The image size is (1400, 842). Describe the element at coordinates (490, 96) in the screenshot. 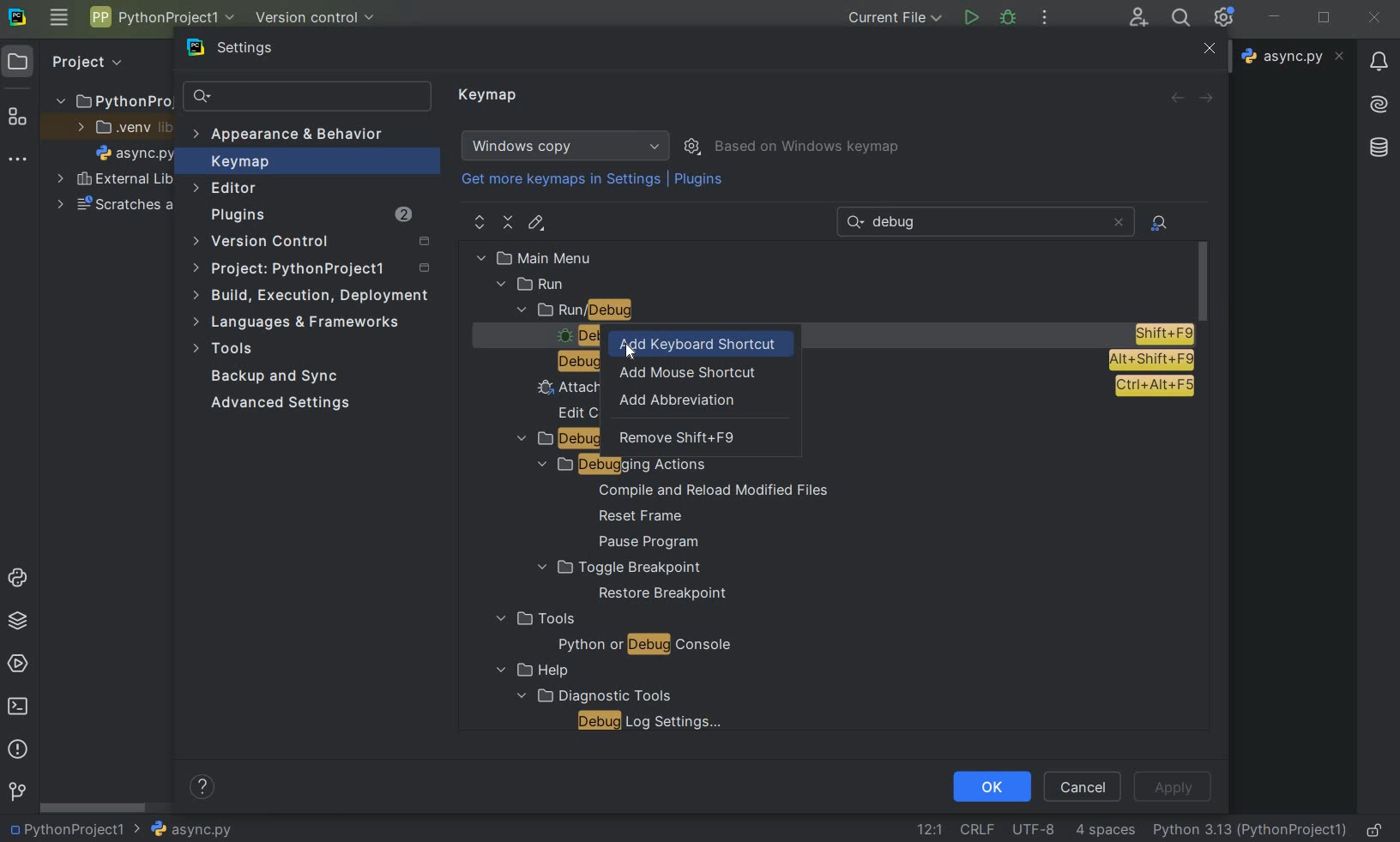

I see `keymap` at that location.